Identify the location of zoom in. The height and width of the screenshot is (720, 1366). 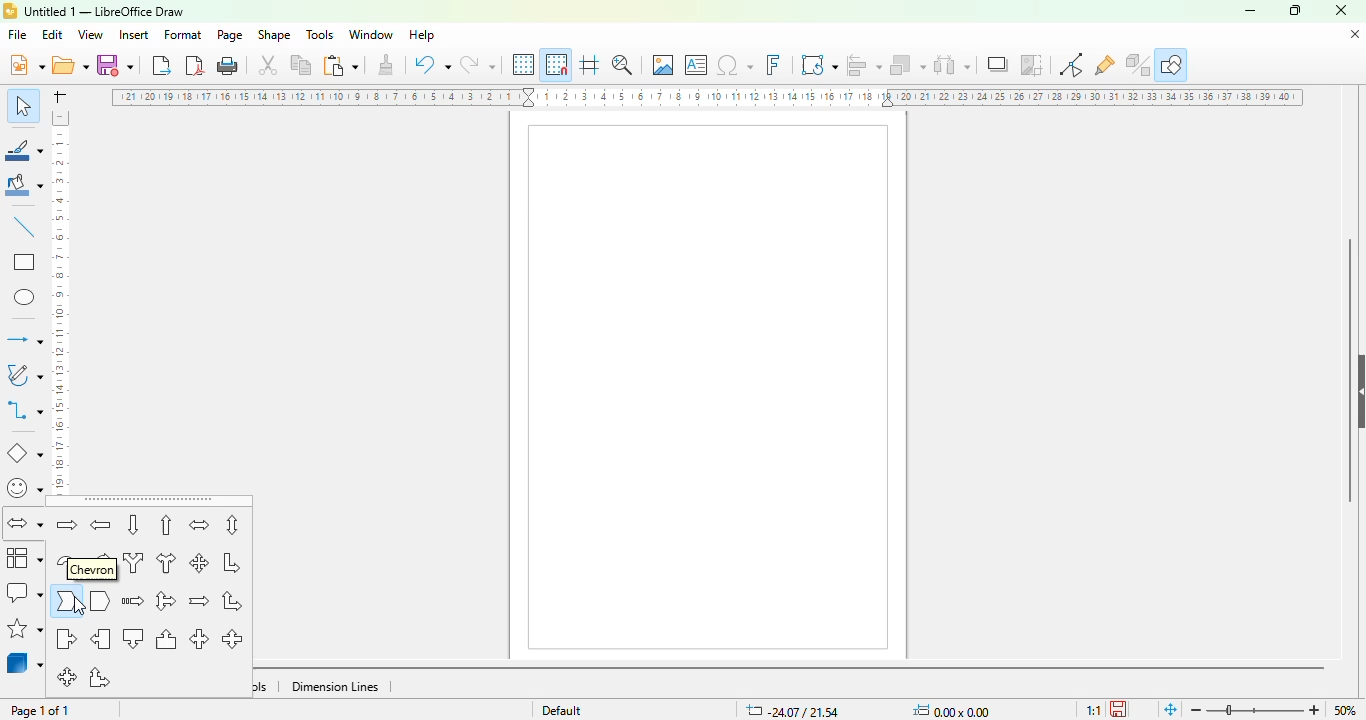
(1314, 710).